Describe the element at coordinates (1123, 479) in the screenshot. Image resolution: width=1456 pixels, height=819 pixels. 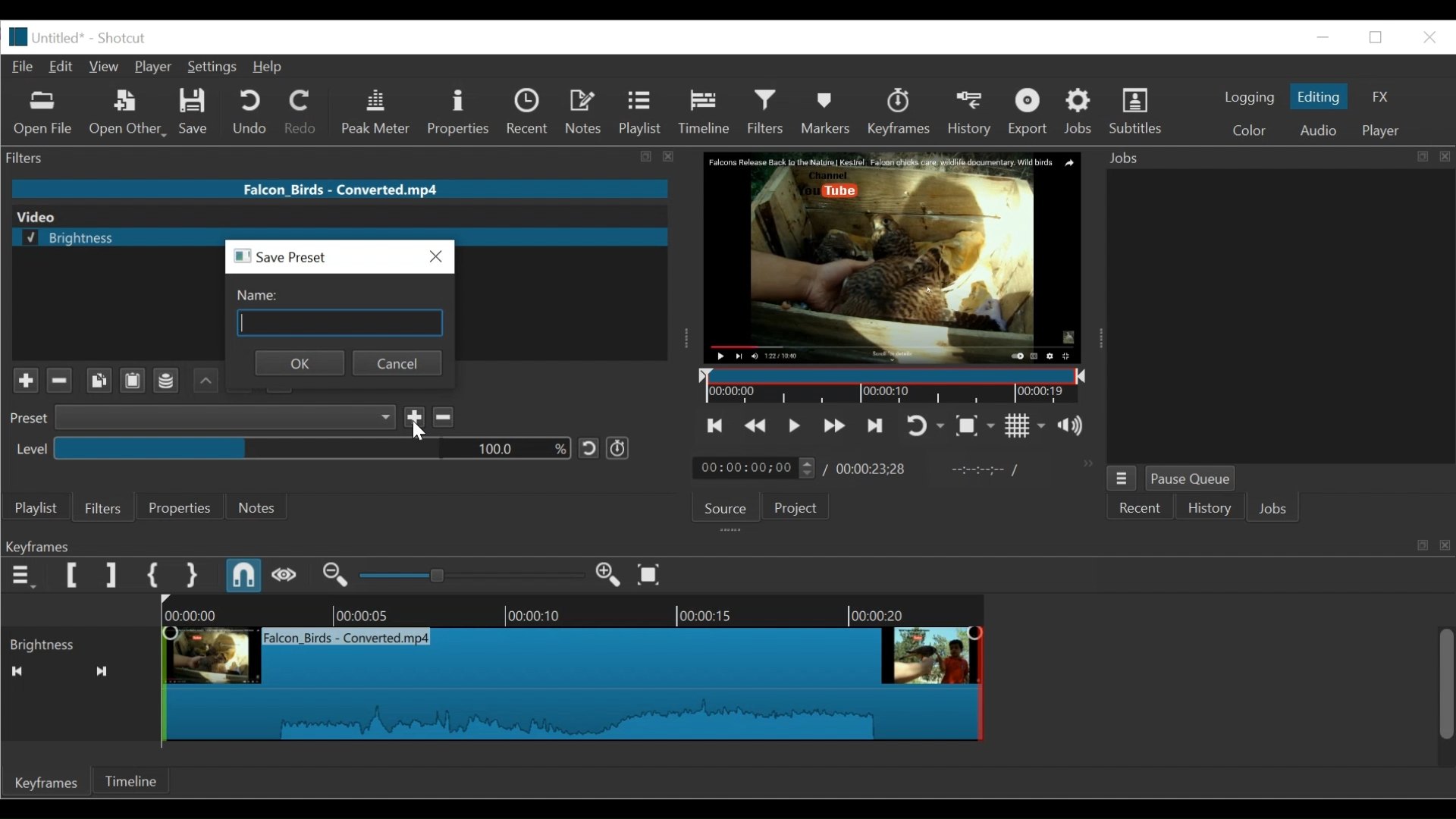
I see `Jobs Menu` at that location.